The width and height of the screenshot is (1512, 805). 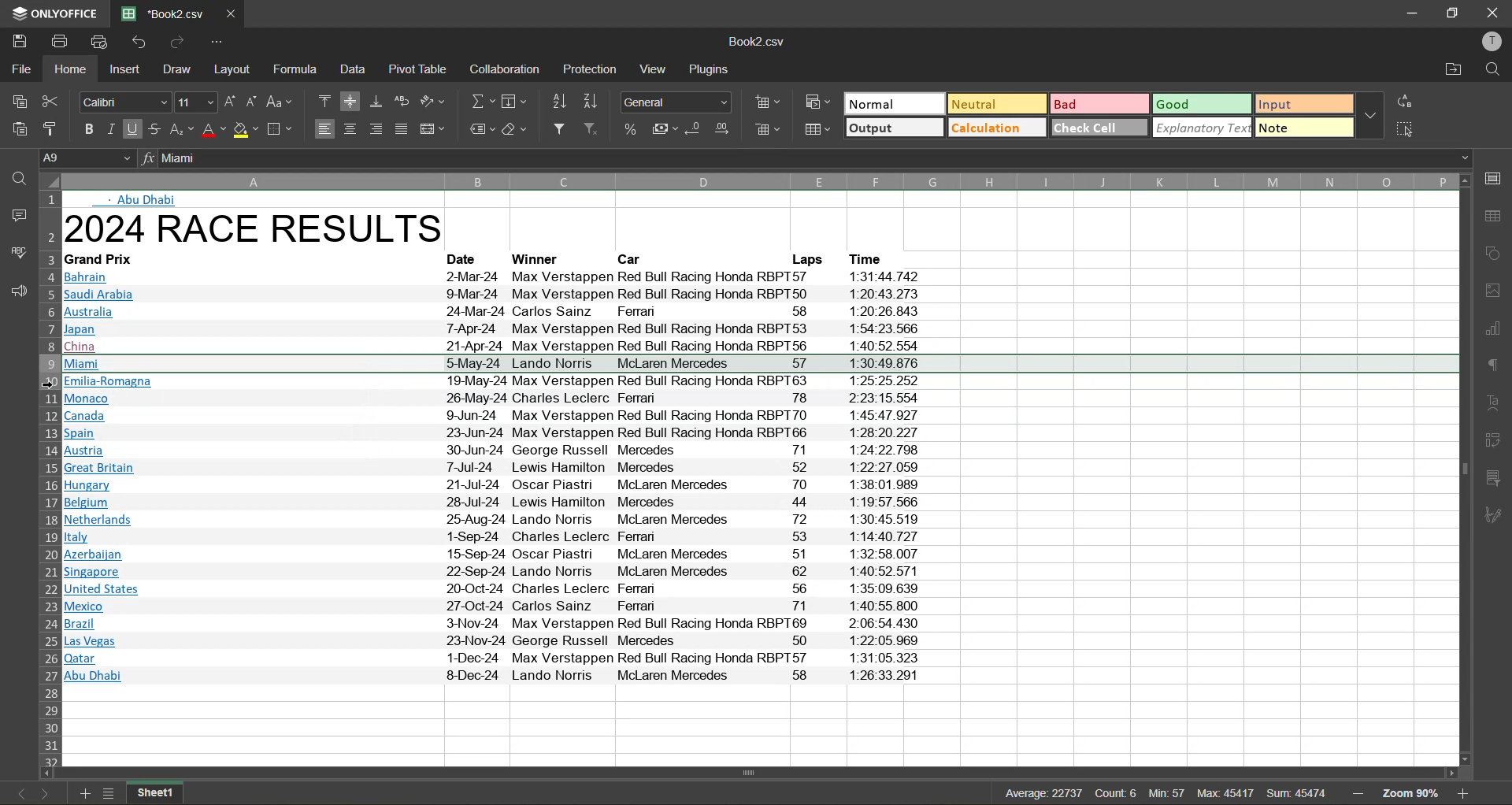 What do you see at coordinates (100, 42) in the screenshot?
I see `quick print` at bounding box center [100, 42].